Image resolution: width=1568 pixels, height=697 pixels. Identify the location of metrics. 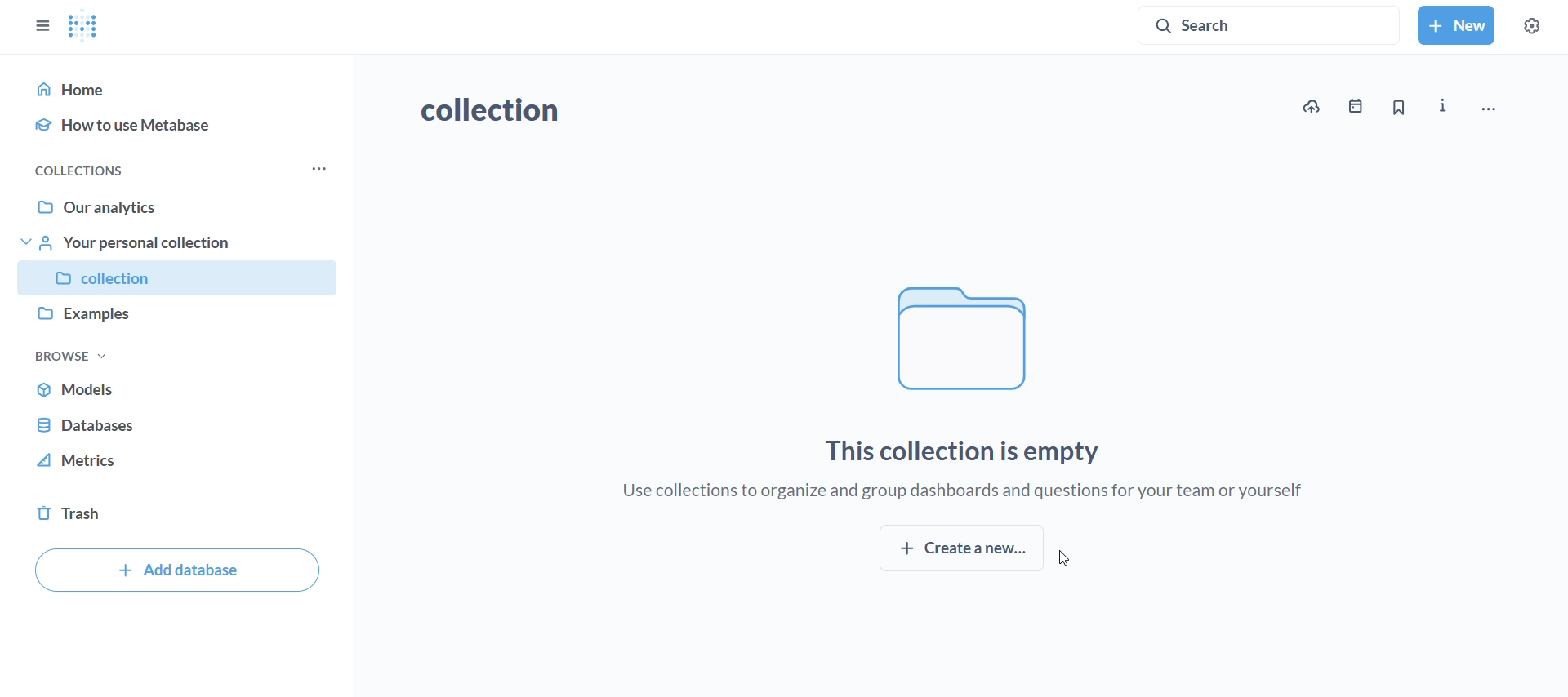
(176, 459).